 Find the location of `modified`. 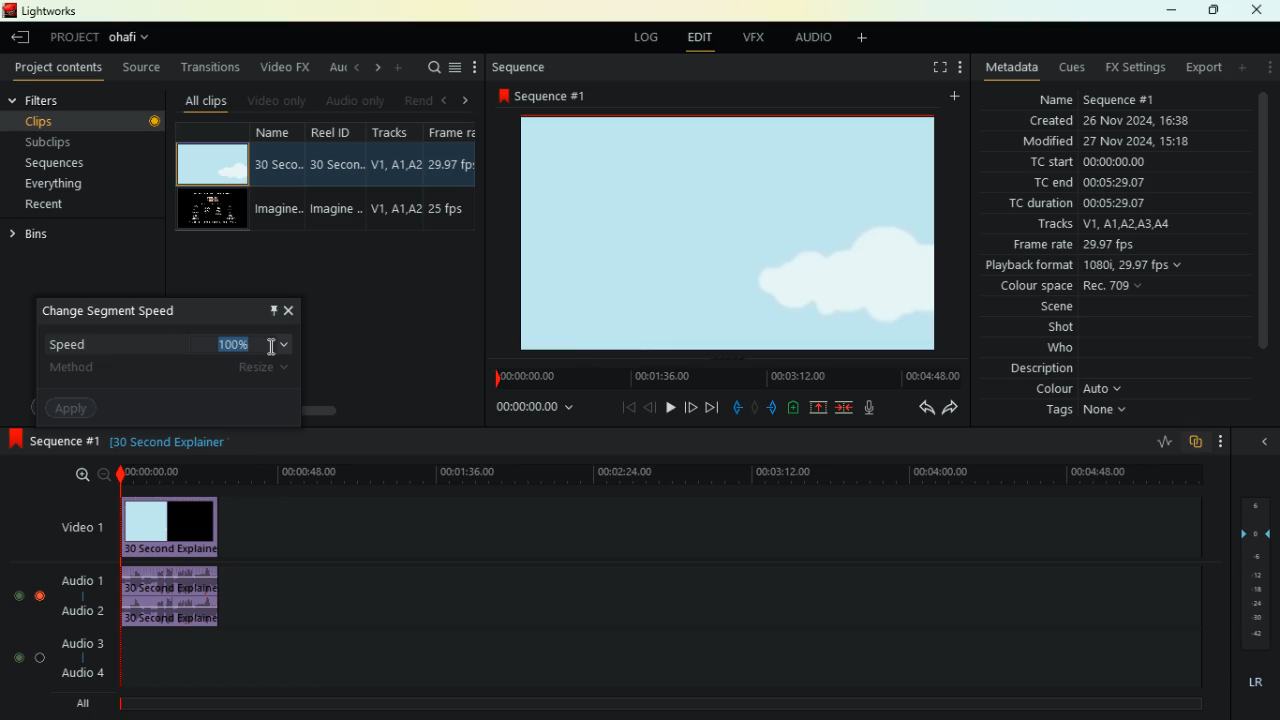

modified is located at coordinates (1102, 142).